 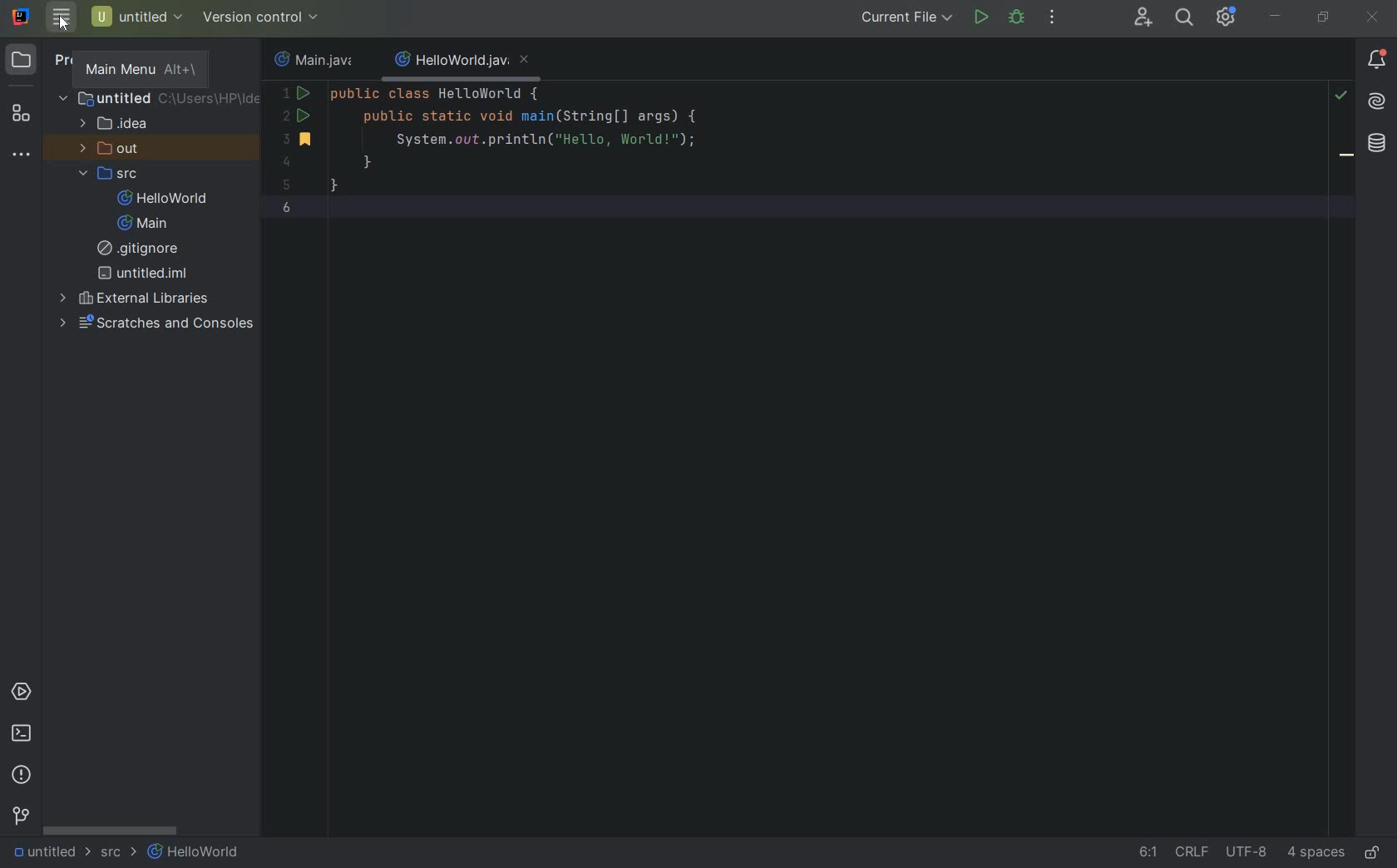 I want to click on untitled file, so click(x=138, y=18).